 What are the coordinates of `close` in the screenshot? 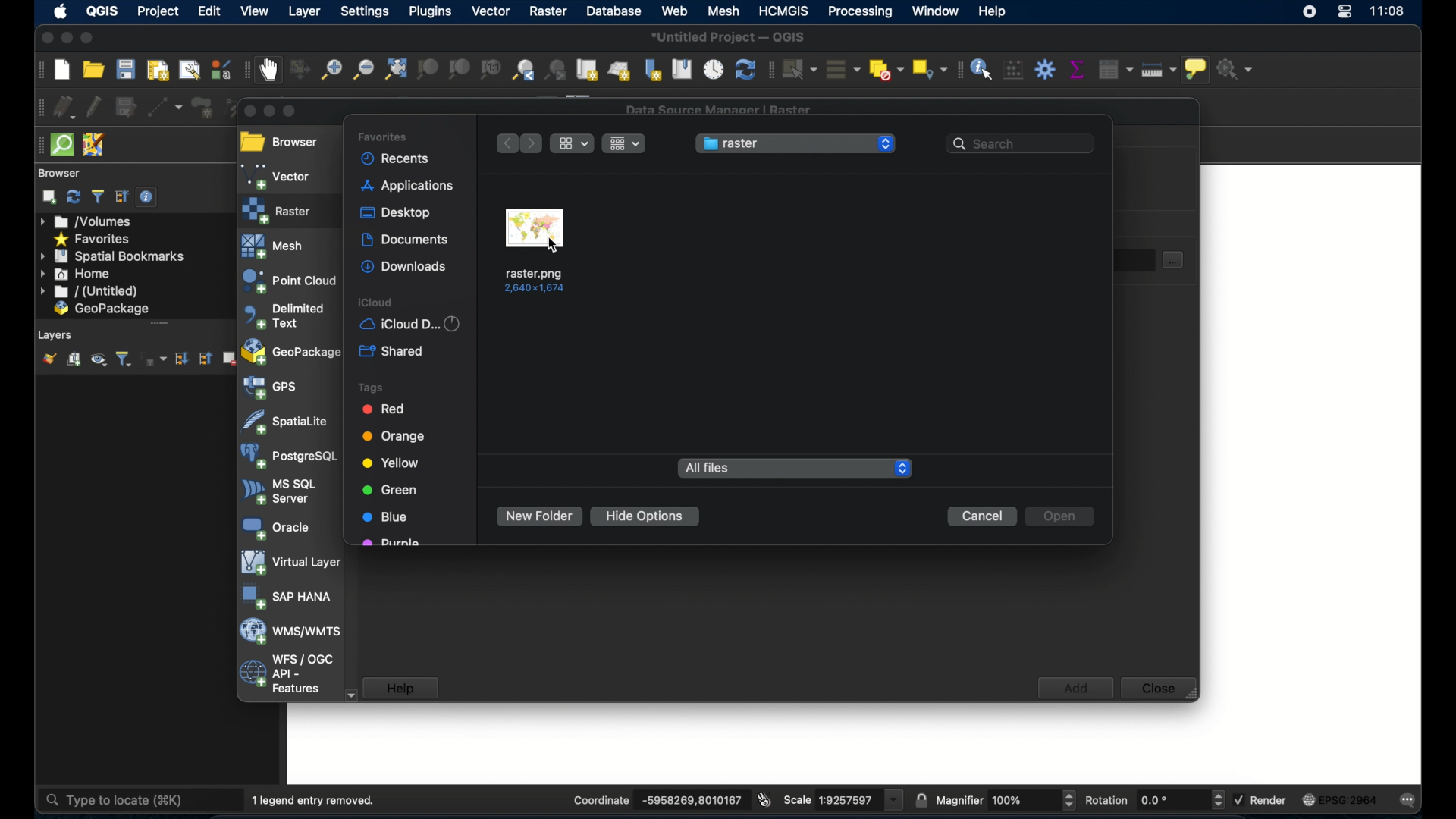 It's located at (1162, 689).